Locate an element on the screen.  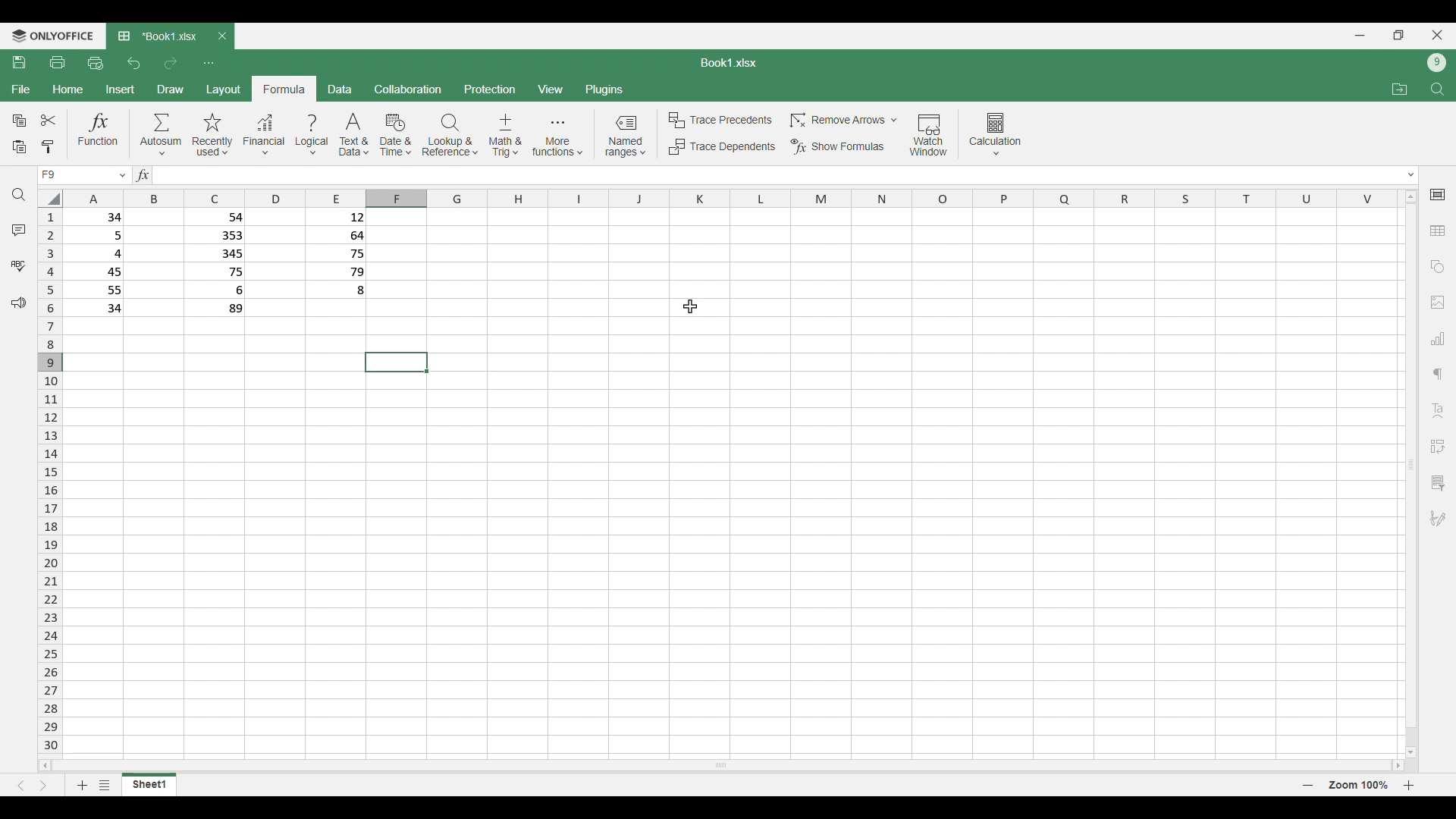
Text art is located at coordinates (1437, 411).